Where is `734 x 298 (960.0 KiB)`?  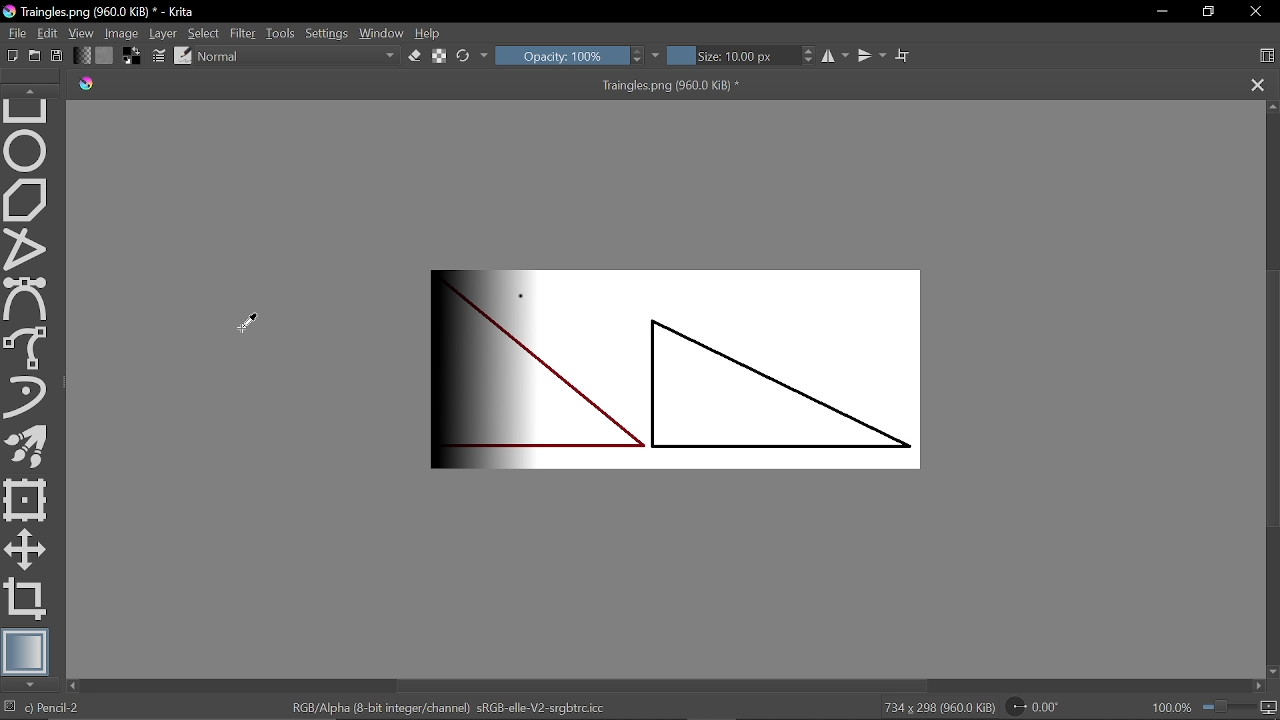 734 x 298 (960.0 KiB) is located at coordinates (938, 708).